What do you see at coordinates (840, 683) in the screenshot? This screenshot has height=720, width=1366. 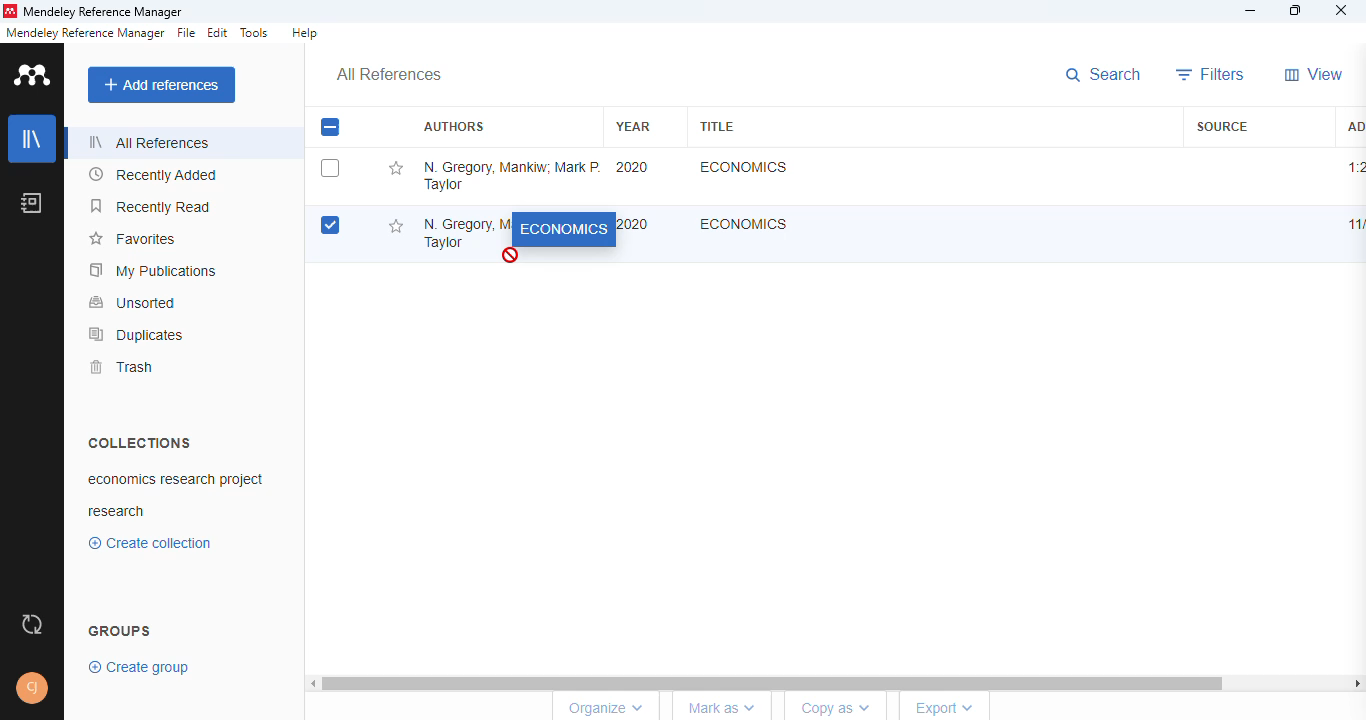 I see `horizontal scroll bar` at bounding box center [840, 683].